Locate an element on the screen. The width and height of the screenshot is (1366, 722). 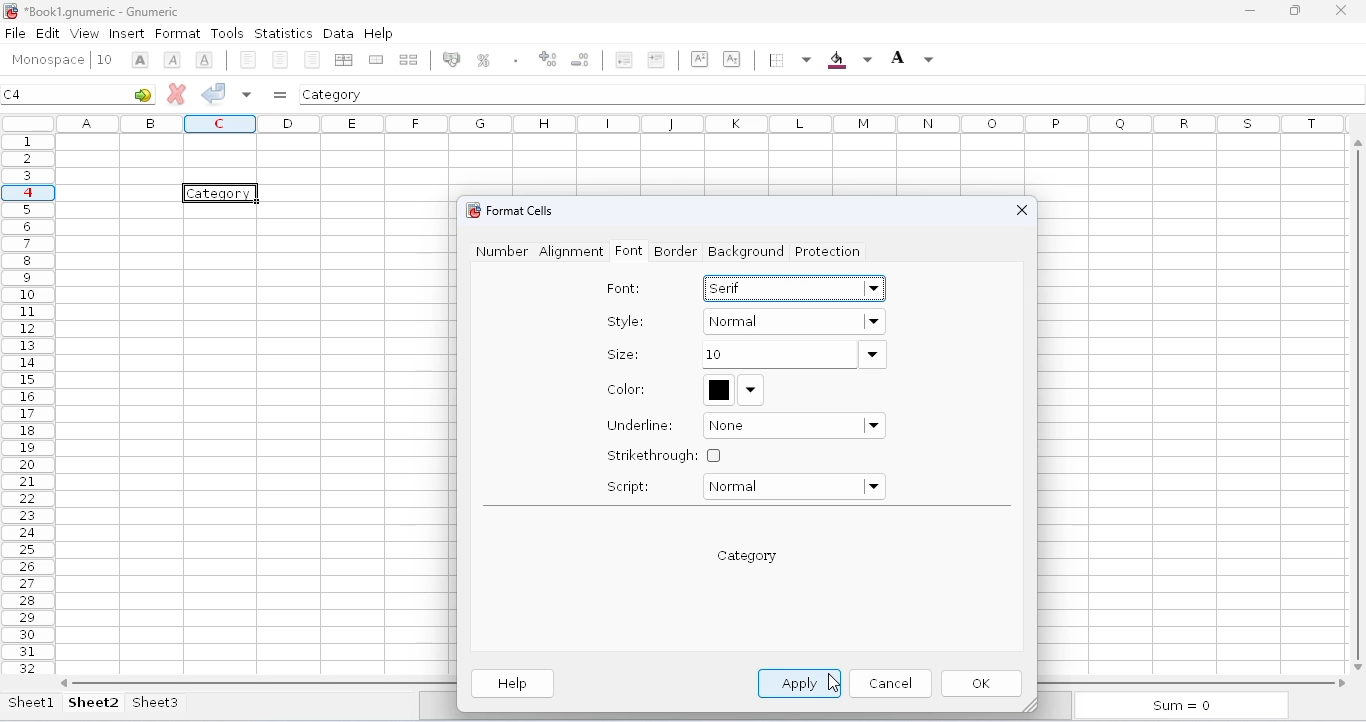
demo font style changed is located at coordinates (747, 556).